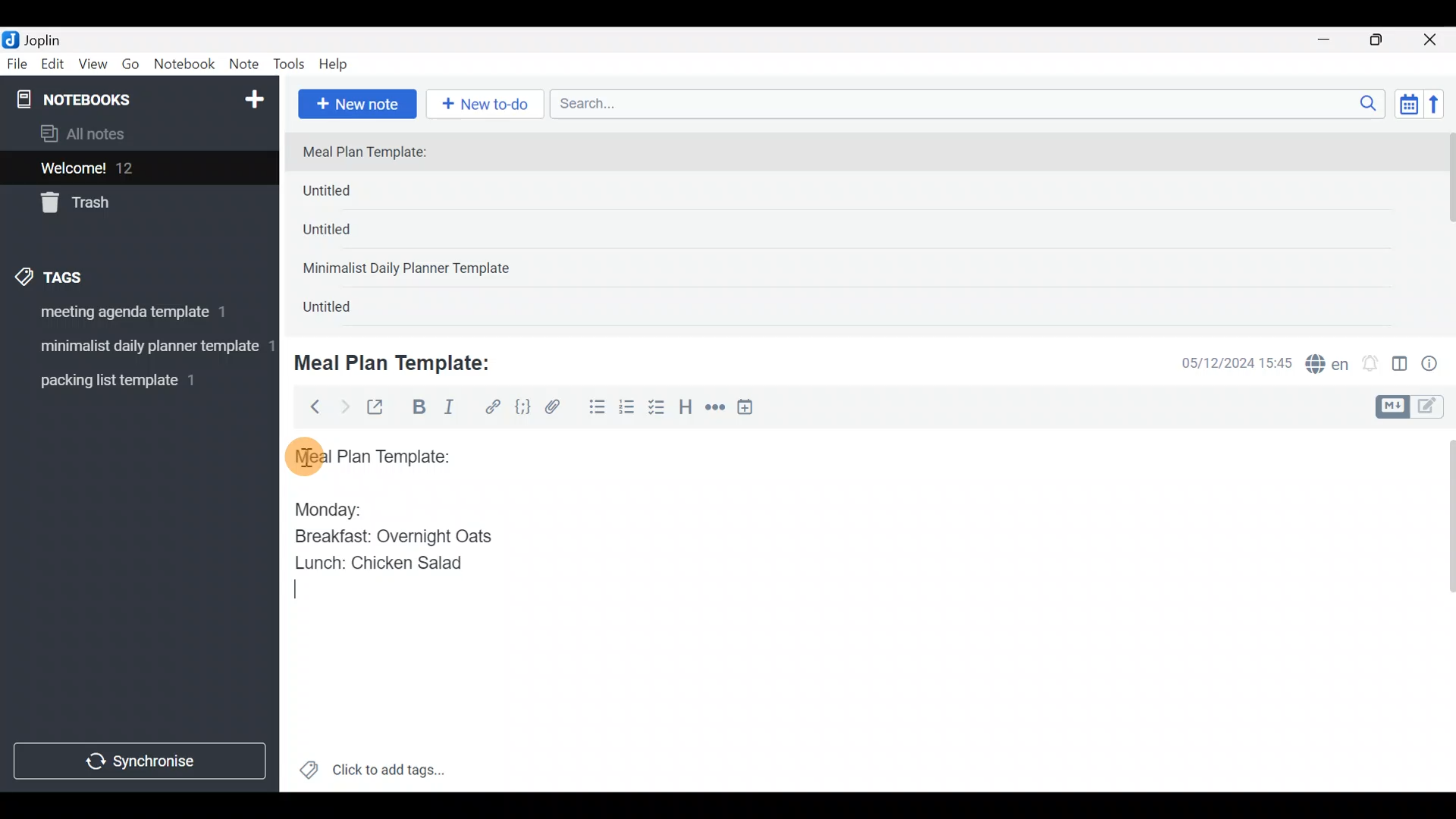  Describe the element at coordinates (1442, 108) in the screenshot. I see `Reverse sort` at that location.